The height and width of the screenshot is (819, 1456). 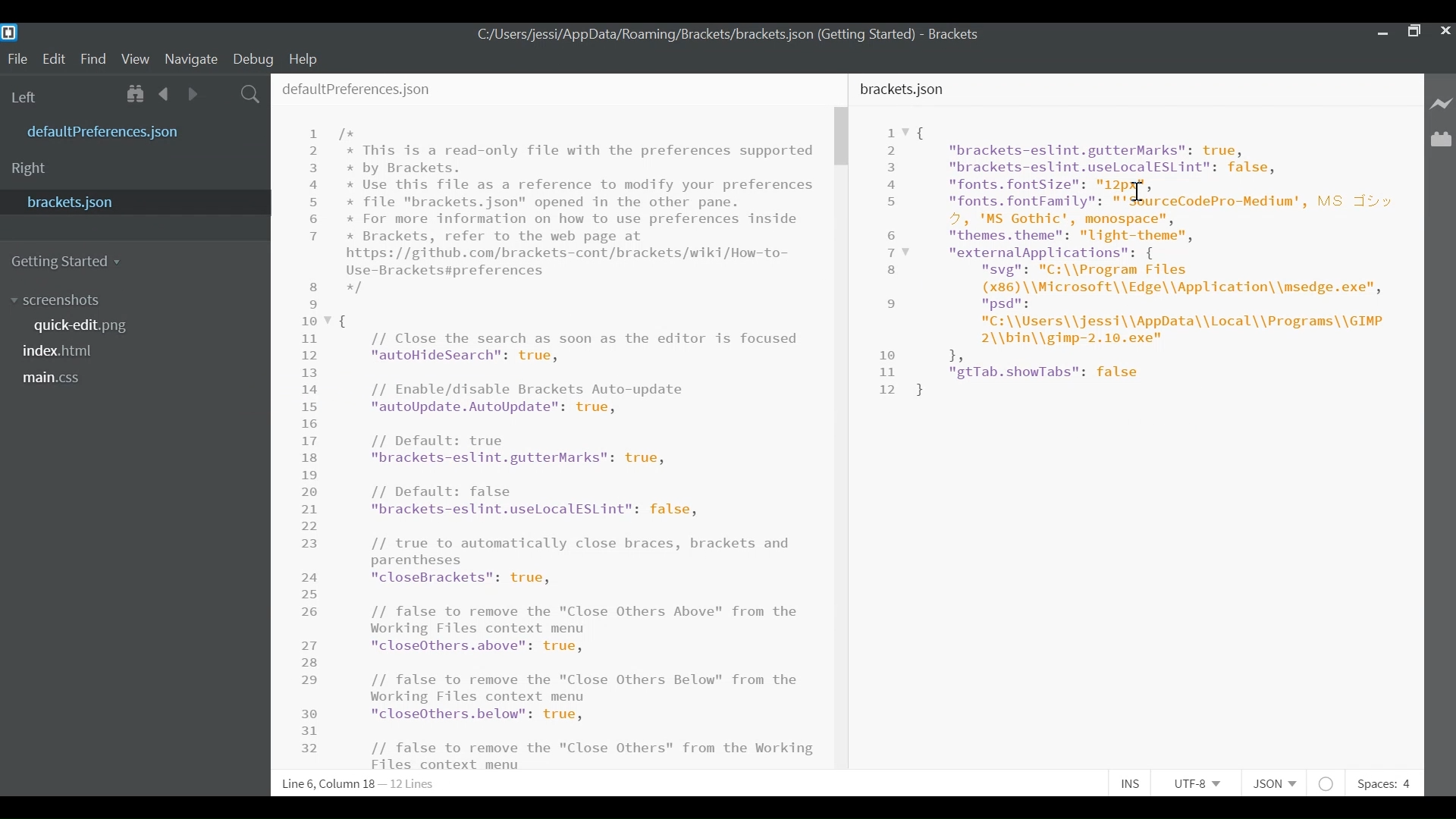 What do you see at coordinates (52, 58) in the screenshot?
I see `Edit` at bounding box center [52, 58].